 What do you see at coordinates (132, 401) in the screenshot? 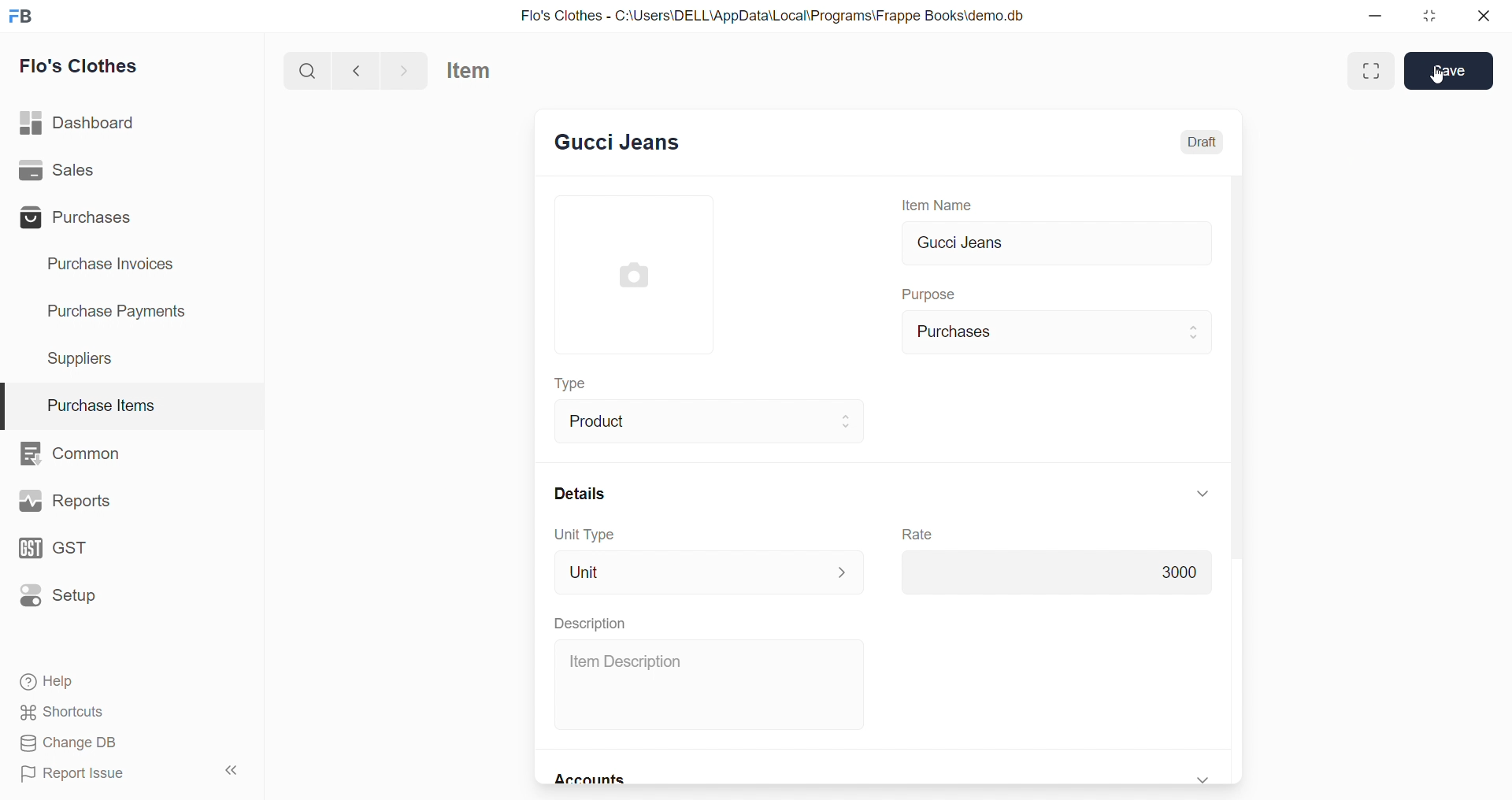
I see `Purchase Items` at bounding box center [132, 401].